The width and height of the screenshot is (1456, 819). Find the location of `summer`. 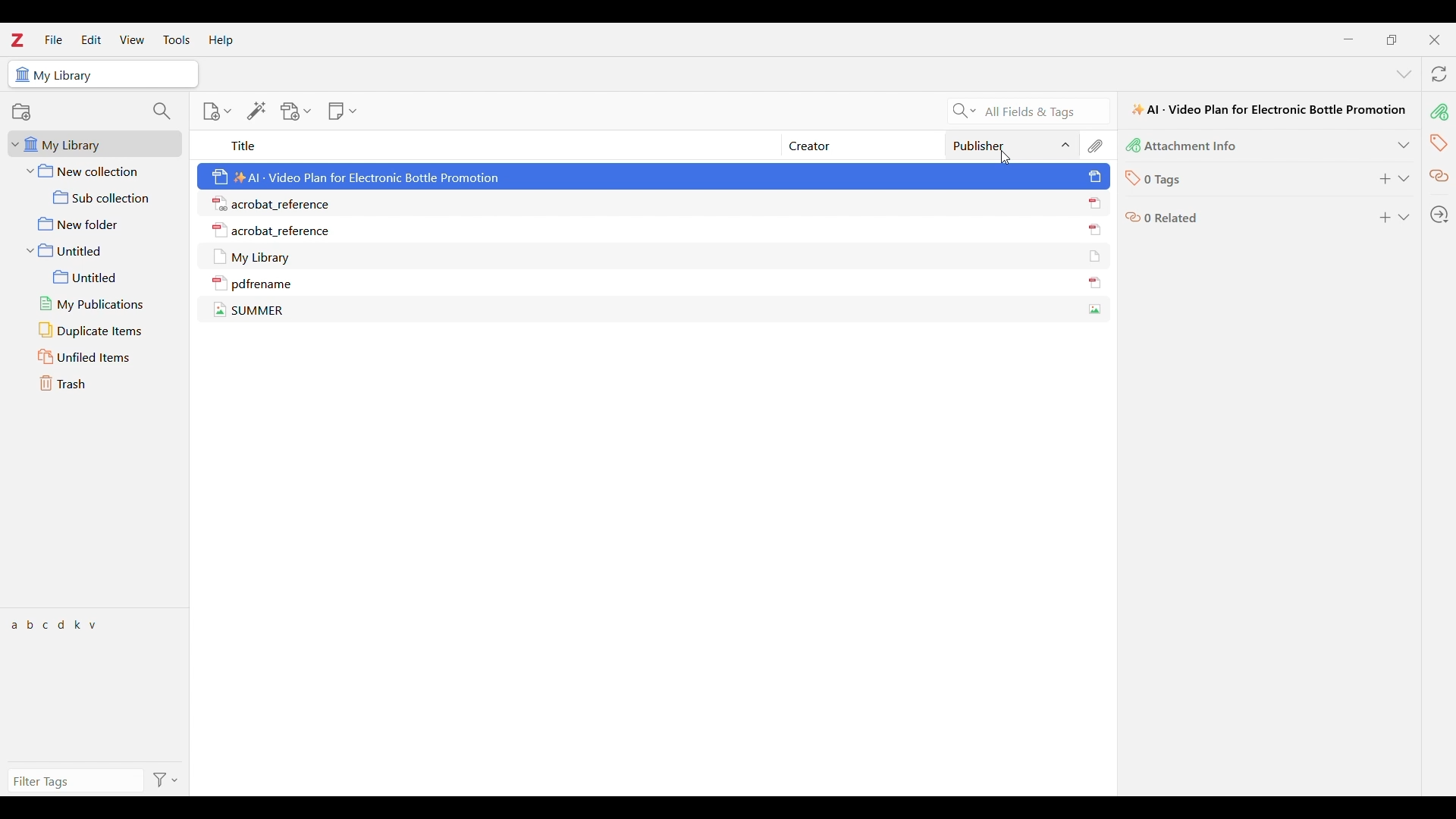

summer is located at coordinates (249, 309).